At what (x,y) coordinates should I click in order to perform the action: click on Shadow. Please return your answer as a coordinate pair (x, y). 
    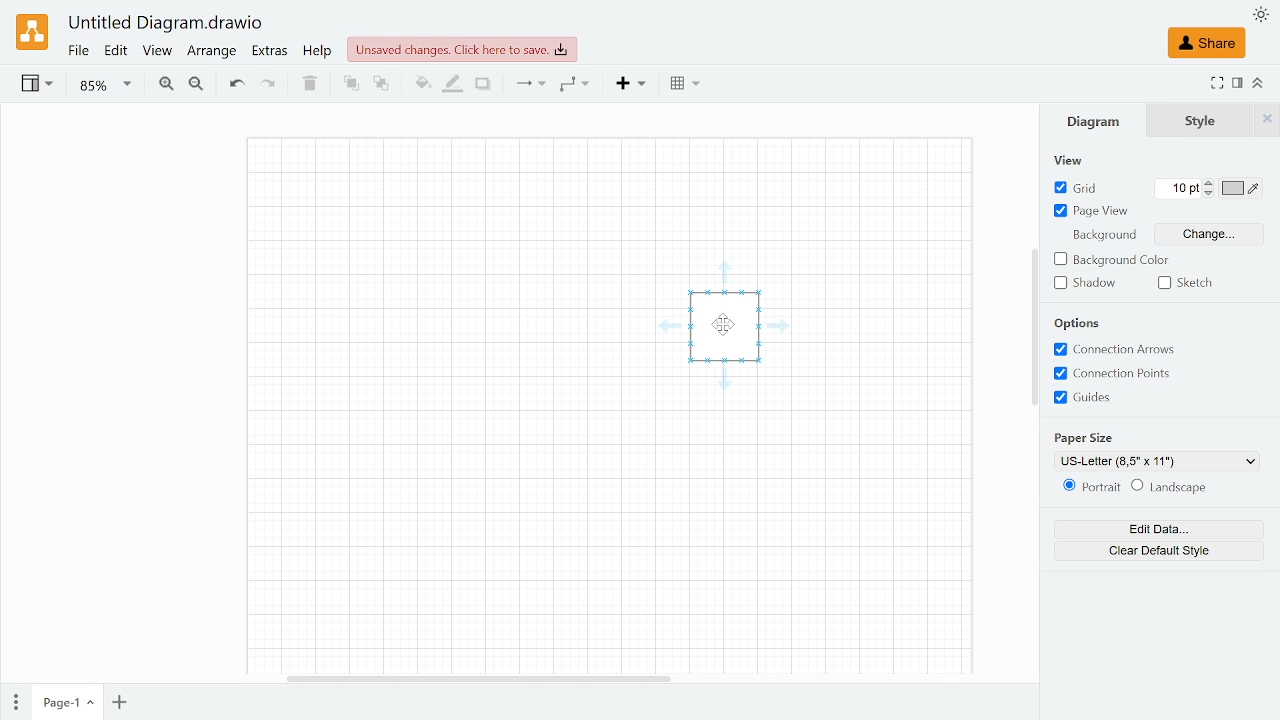
    Looking at the image, I should click on (1091, 284).